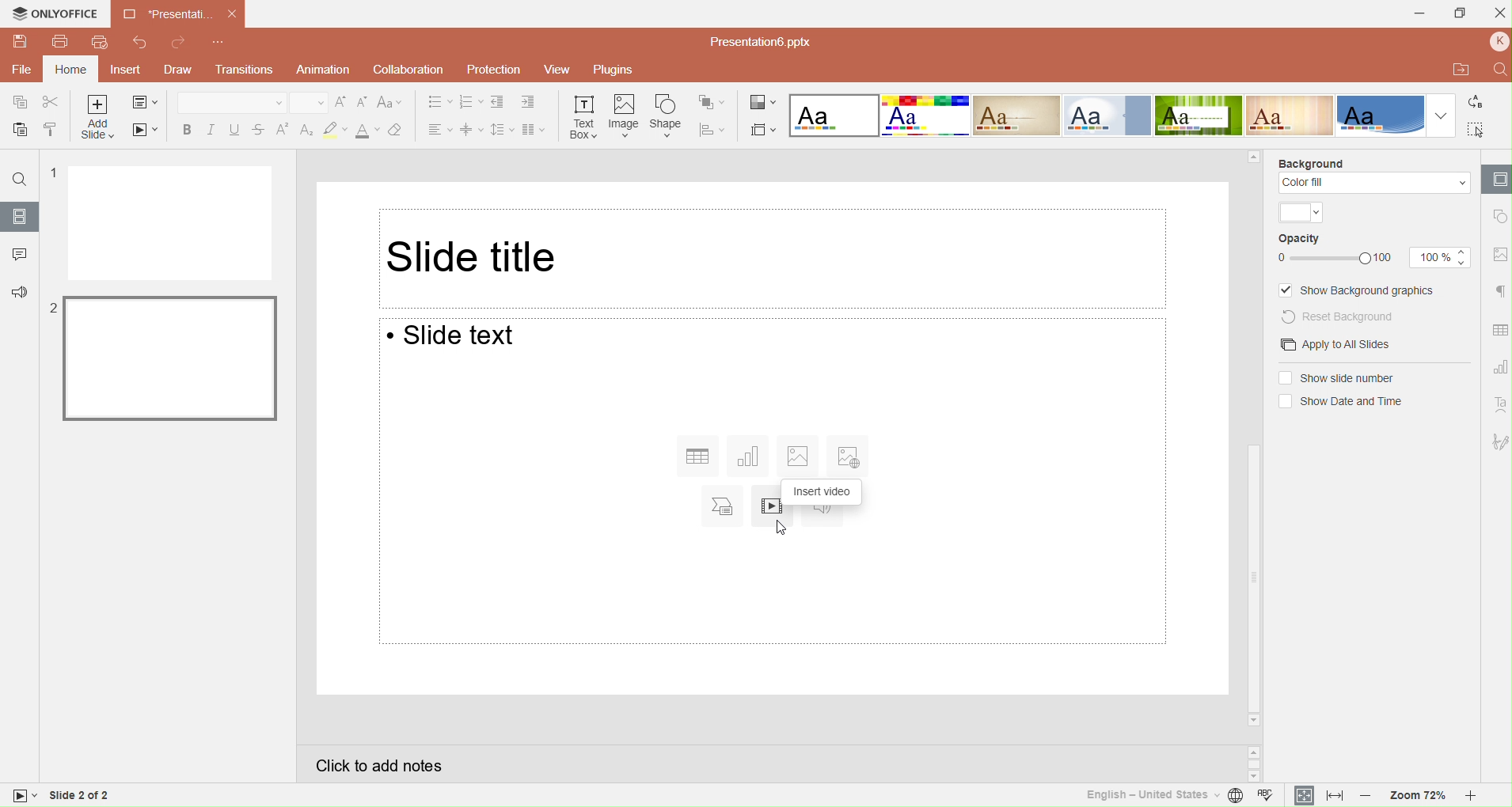 This screenshot has height=807, width=1512. I want to click on Horizontal align, so click(437, 129).